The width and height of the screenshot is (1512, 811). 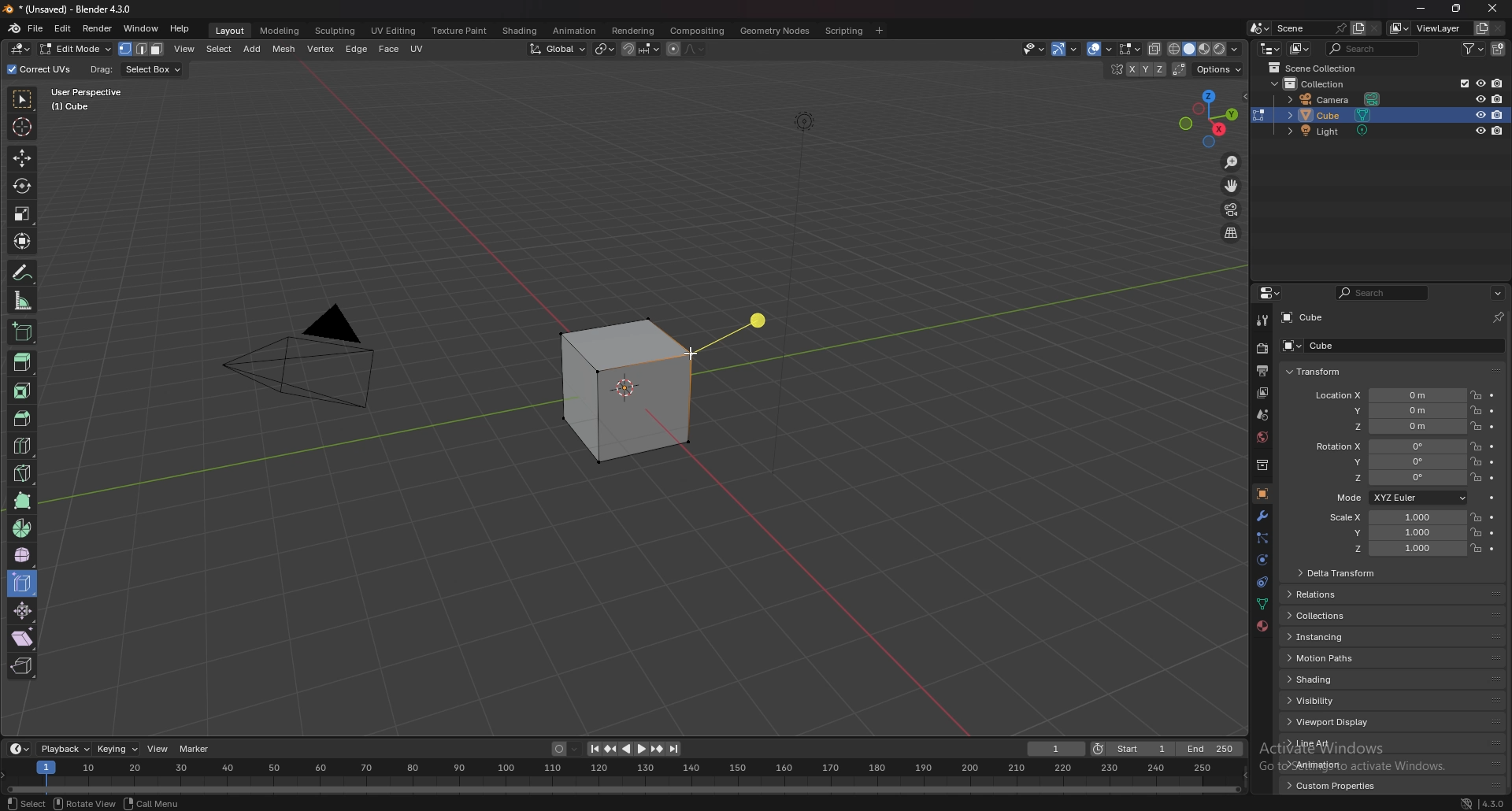 What do you see at coordinates (1492, 533) in the screenshot?
I see `animate property` at bounding box center [1492, 533].